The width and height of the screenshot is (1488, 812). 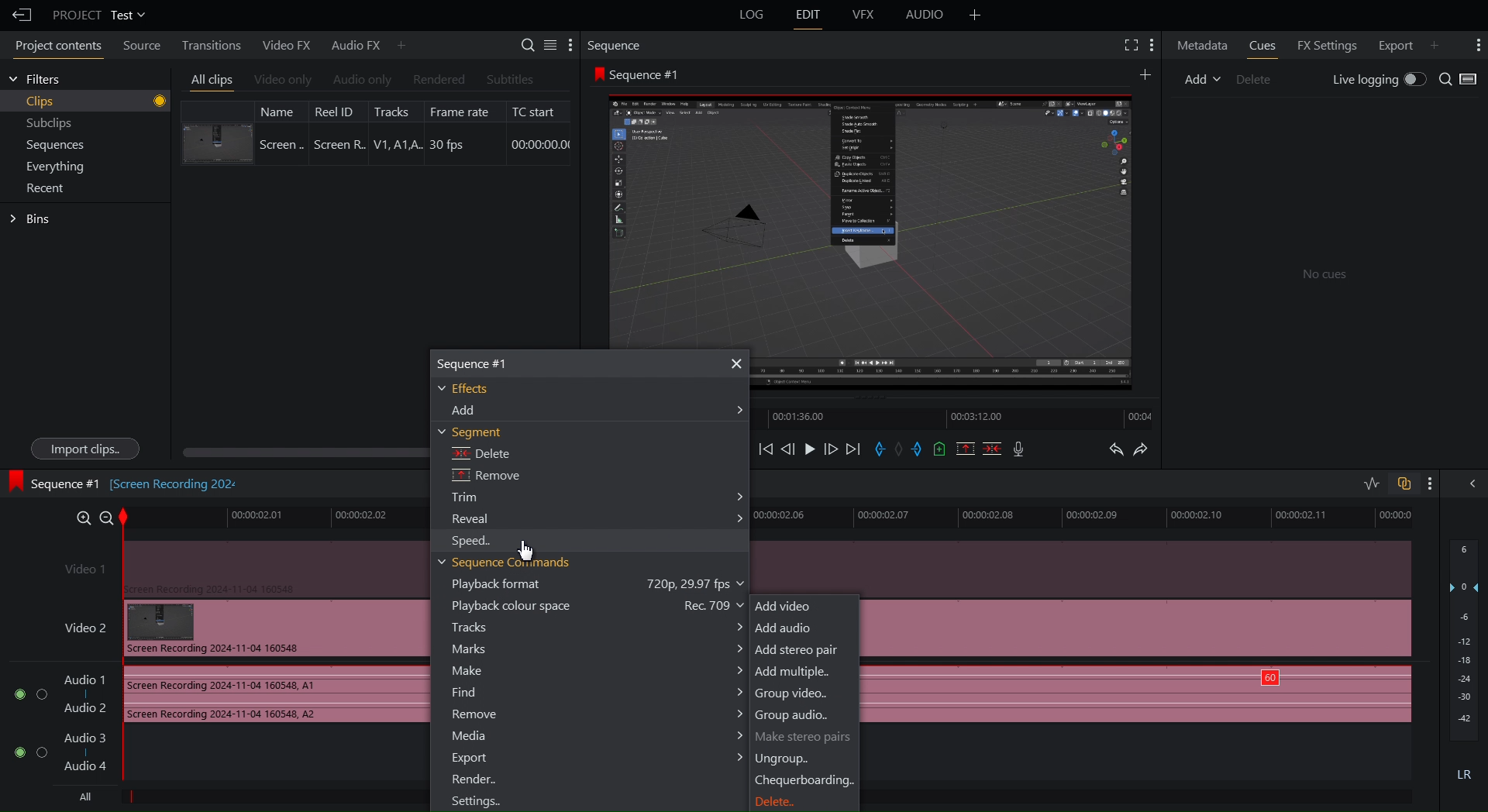 What do you see at coordinates (799, 649) in the screenshot?
I see `Add stereo pair` at bounding box center [799, 649].